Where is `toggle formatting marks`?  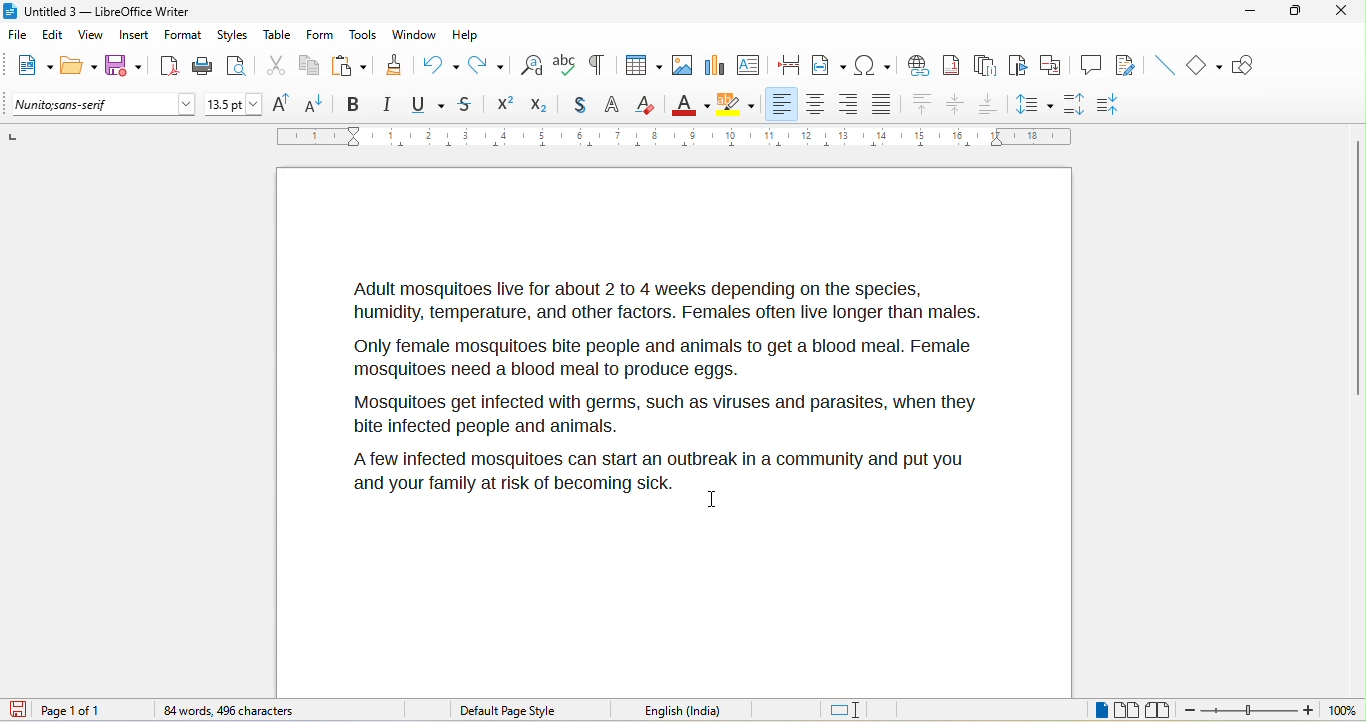
toggle formatting marks is located at coordinates (596, 65).